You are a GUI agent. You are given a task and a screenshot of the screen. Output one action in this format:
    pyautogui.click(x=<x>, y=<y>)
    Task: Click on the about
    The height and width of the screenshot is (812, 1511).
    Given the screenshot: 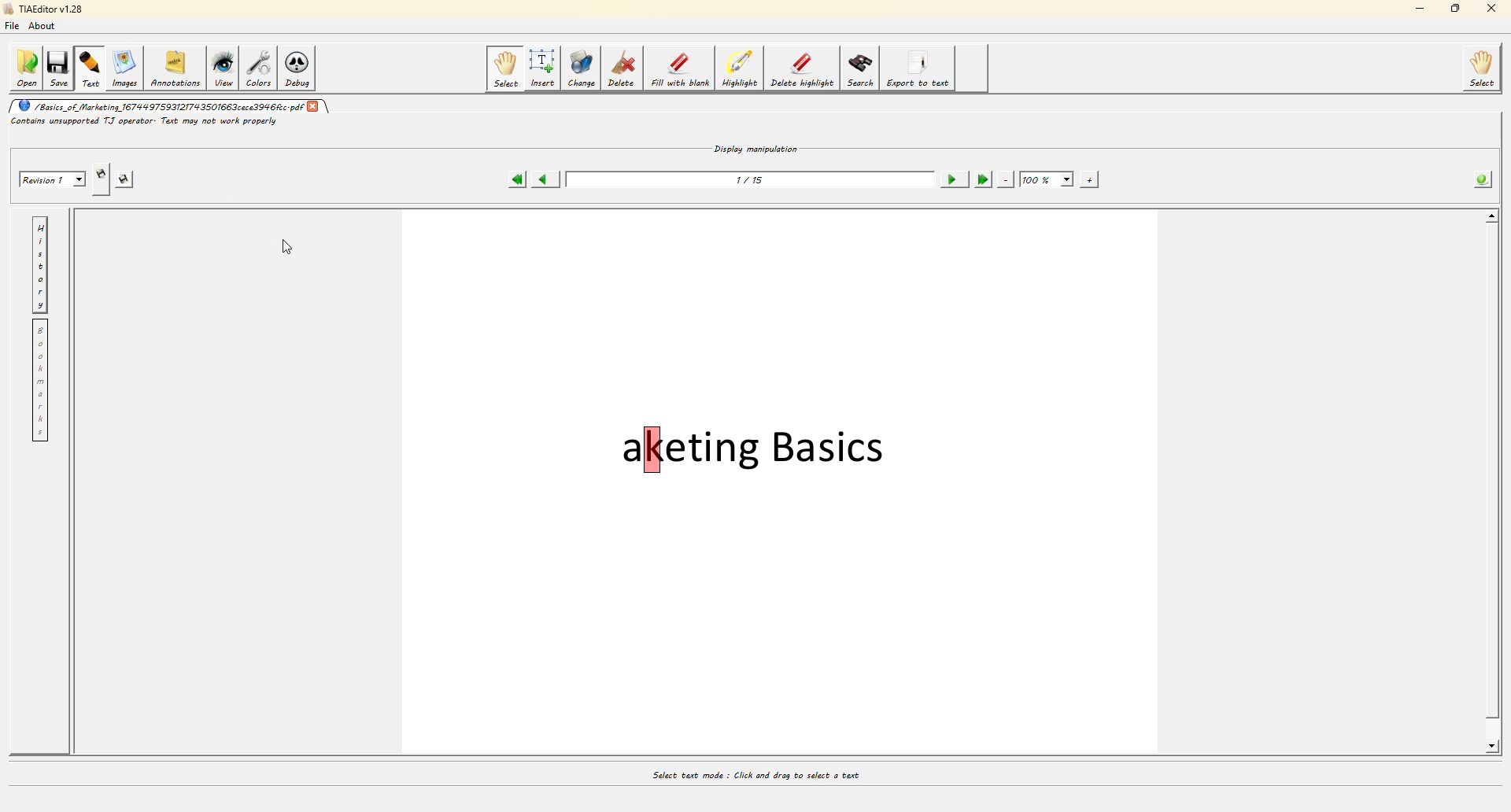 What is the action you would take?
    pyautogui.click(x=46, y=28)
    